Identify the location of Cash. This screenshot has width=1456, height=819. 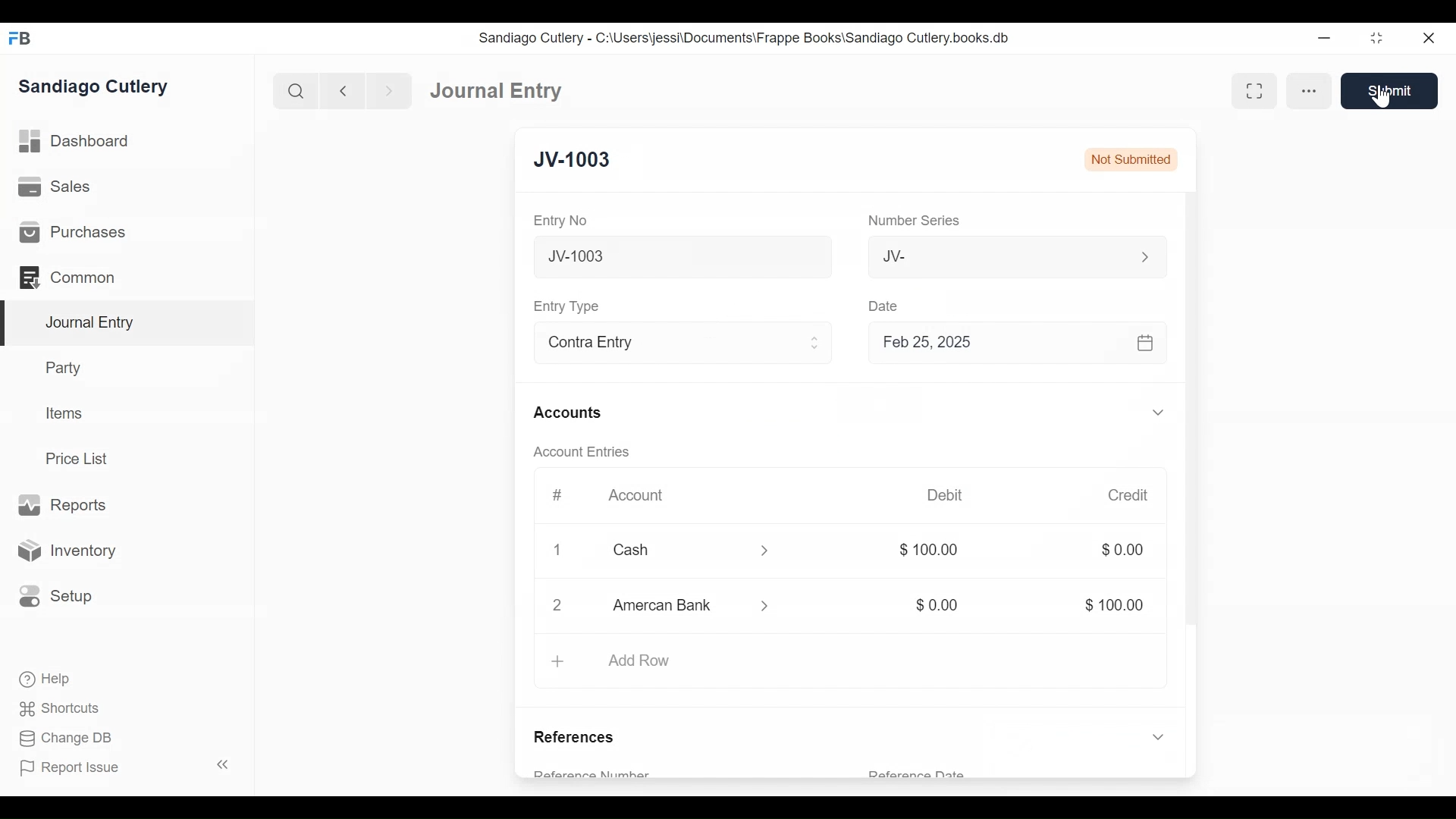
(667, 551).